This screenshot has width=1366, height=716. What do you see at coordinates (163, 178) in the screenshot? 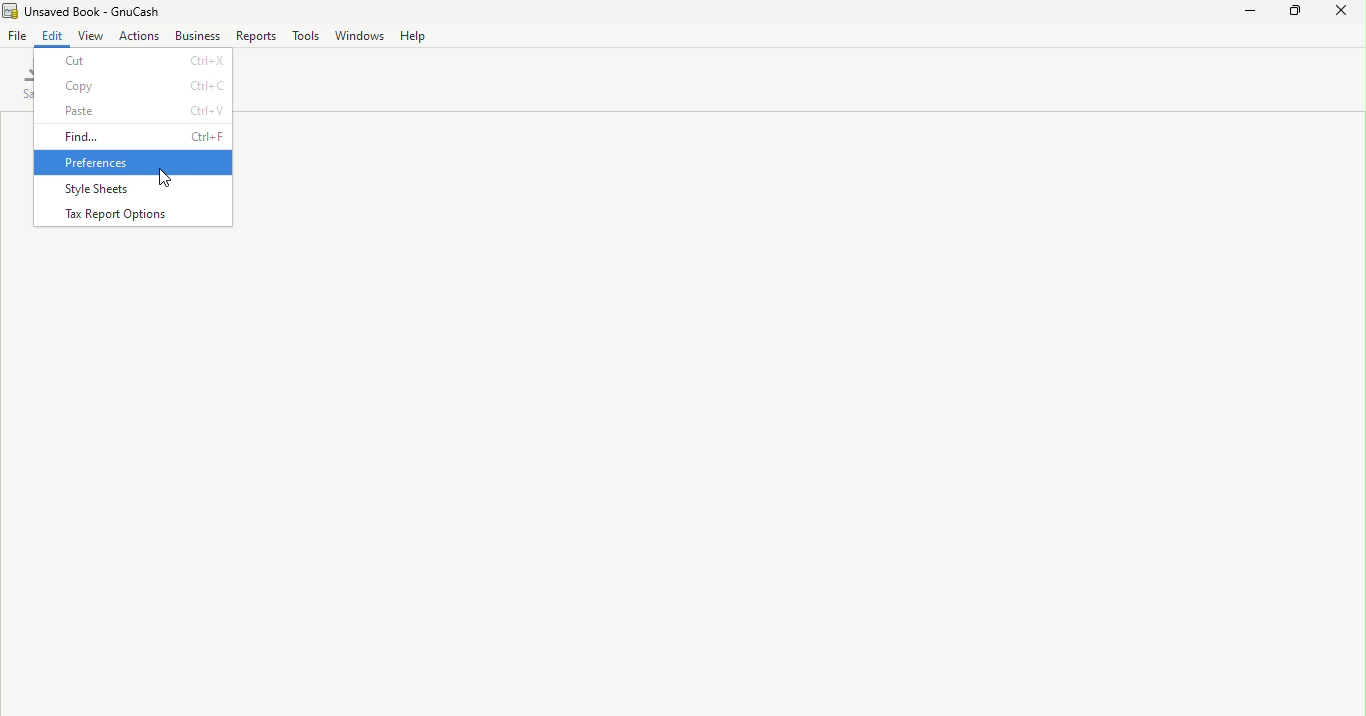
I see `Cursor` at bounding box center [163, 178].